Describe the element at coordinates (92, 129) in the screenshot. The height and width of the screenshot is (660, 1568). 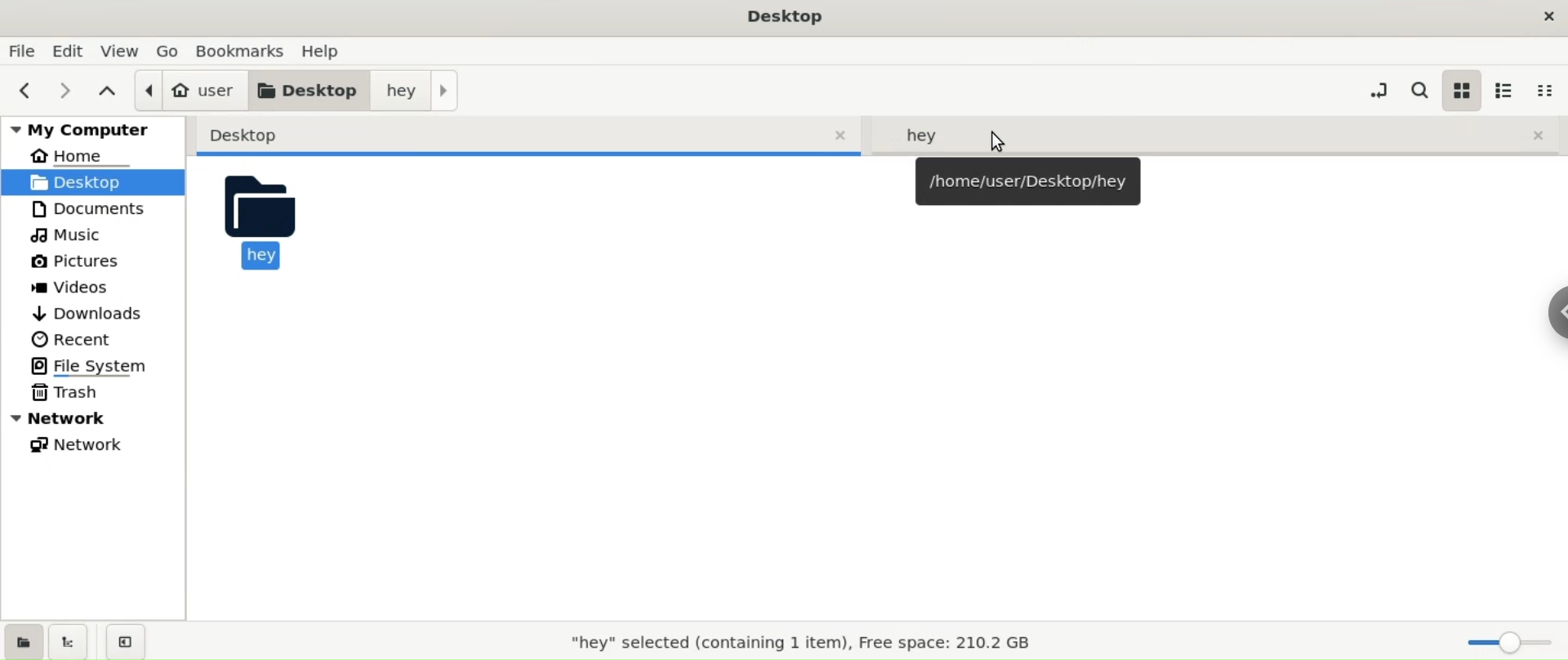
I see `my computer` at that location.